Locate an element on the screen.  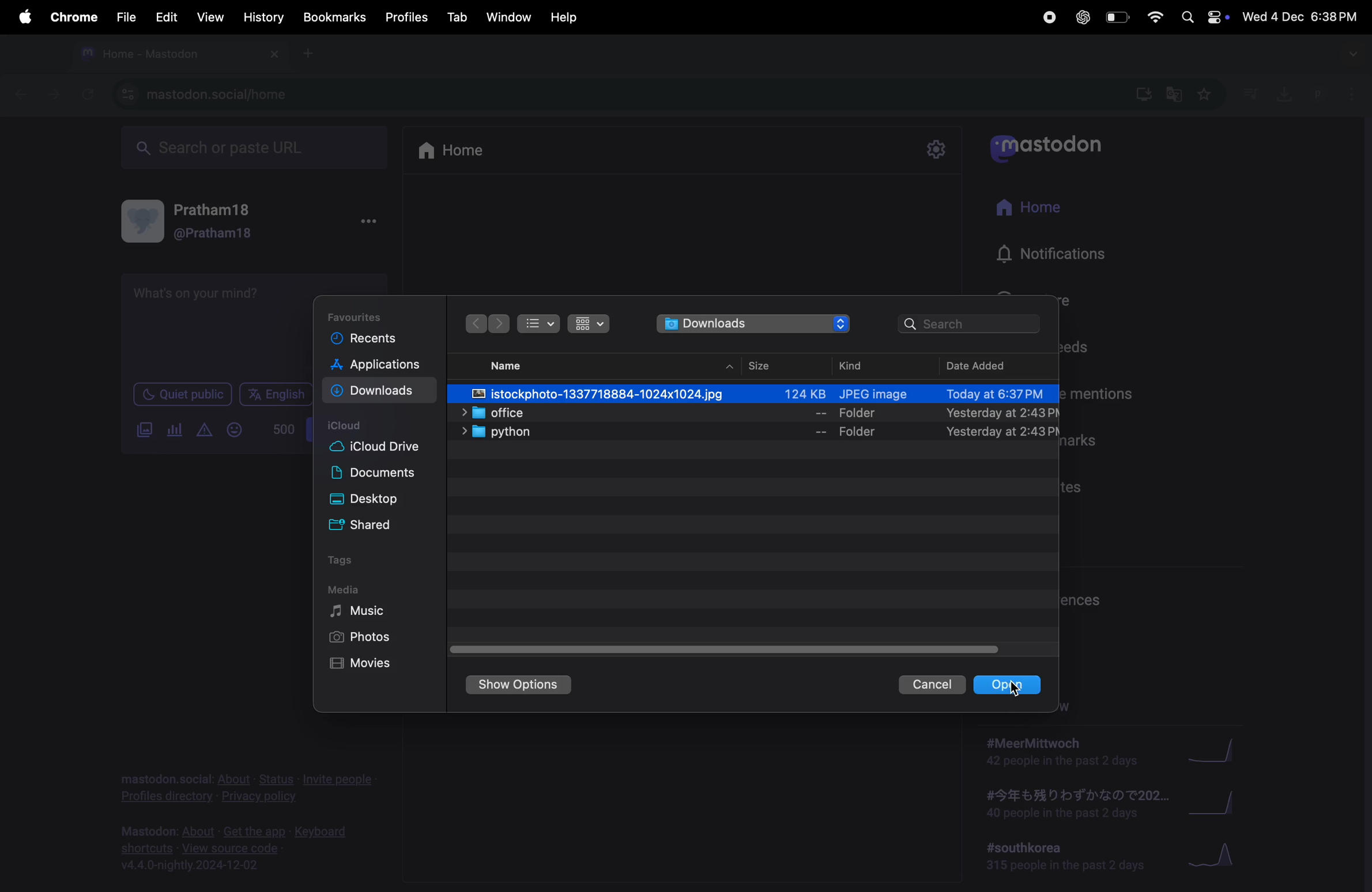
date added is located at coordinates (991, 364).